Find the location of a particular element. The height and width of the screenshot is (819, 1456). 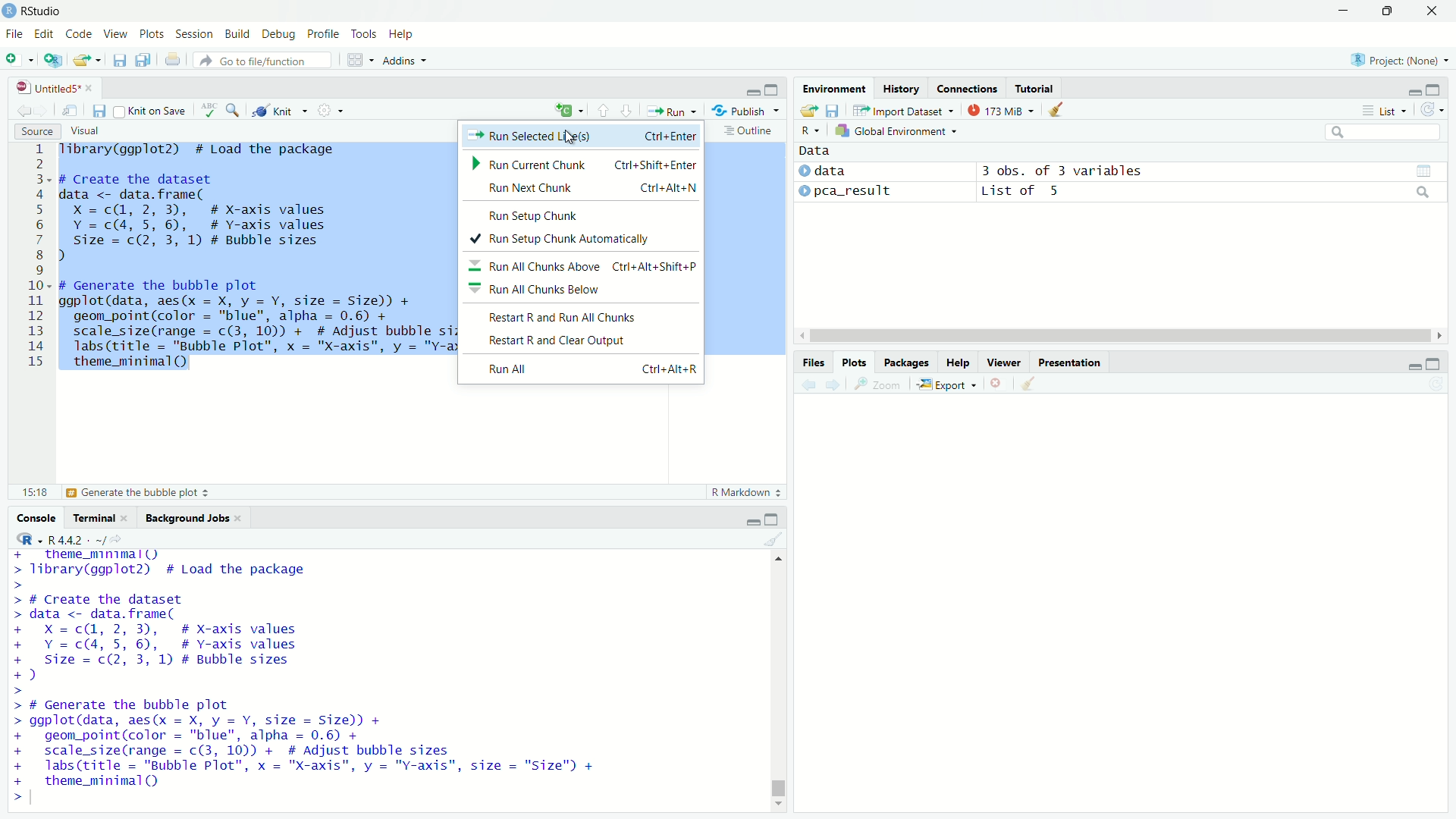

View is located at coordinates (118, 35).